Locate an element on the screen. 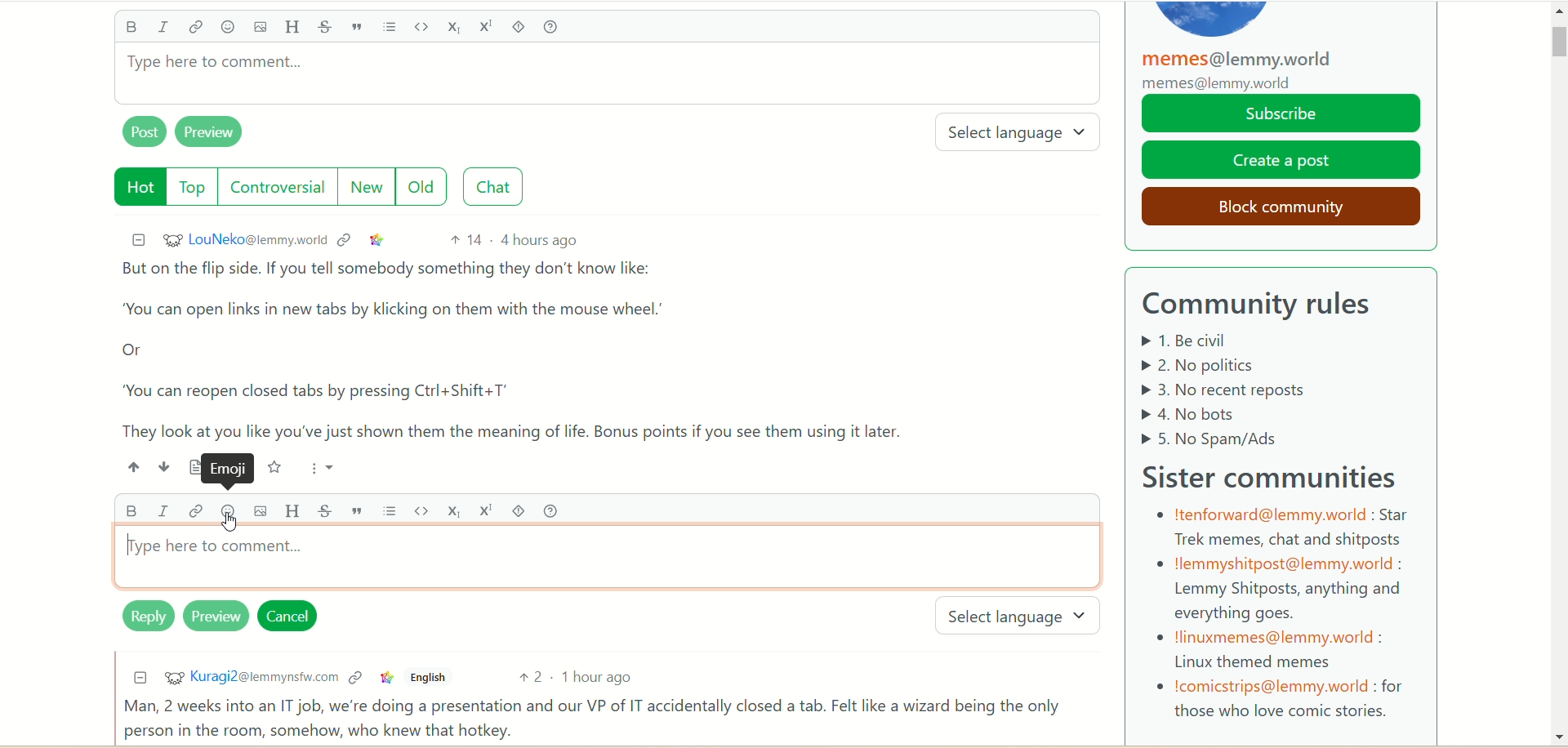  link is located at coordinates (194, 512).